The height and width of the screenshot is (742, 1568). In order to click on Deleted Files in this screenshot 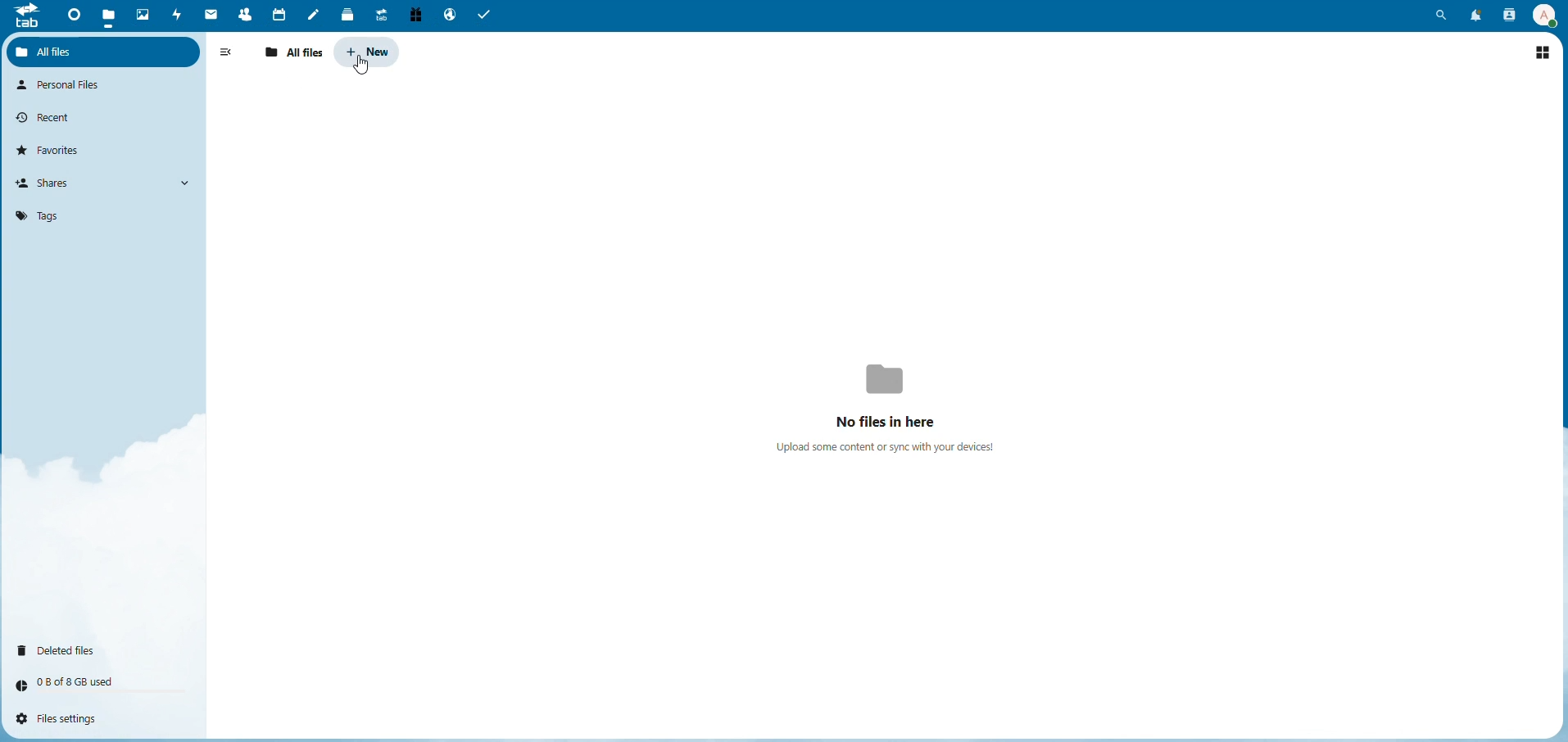, I will do `click(65, 649)`.